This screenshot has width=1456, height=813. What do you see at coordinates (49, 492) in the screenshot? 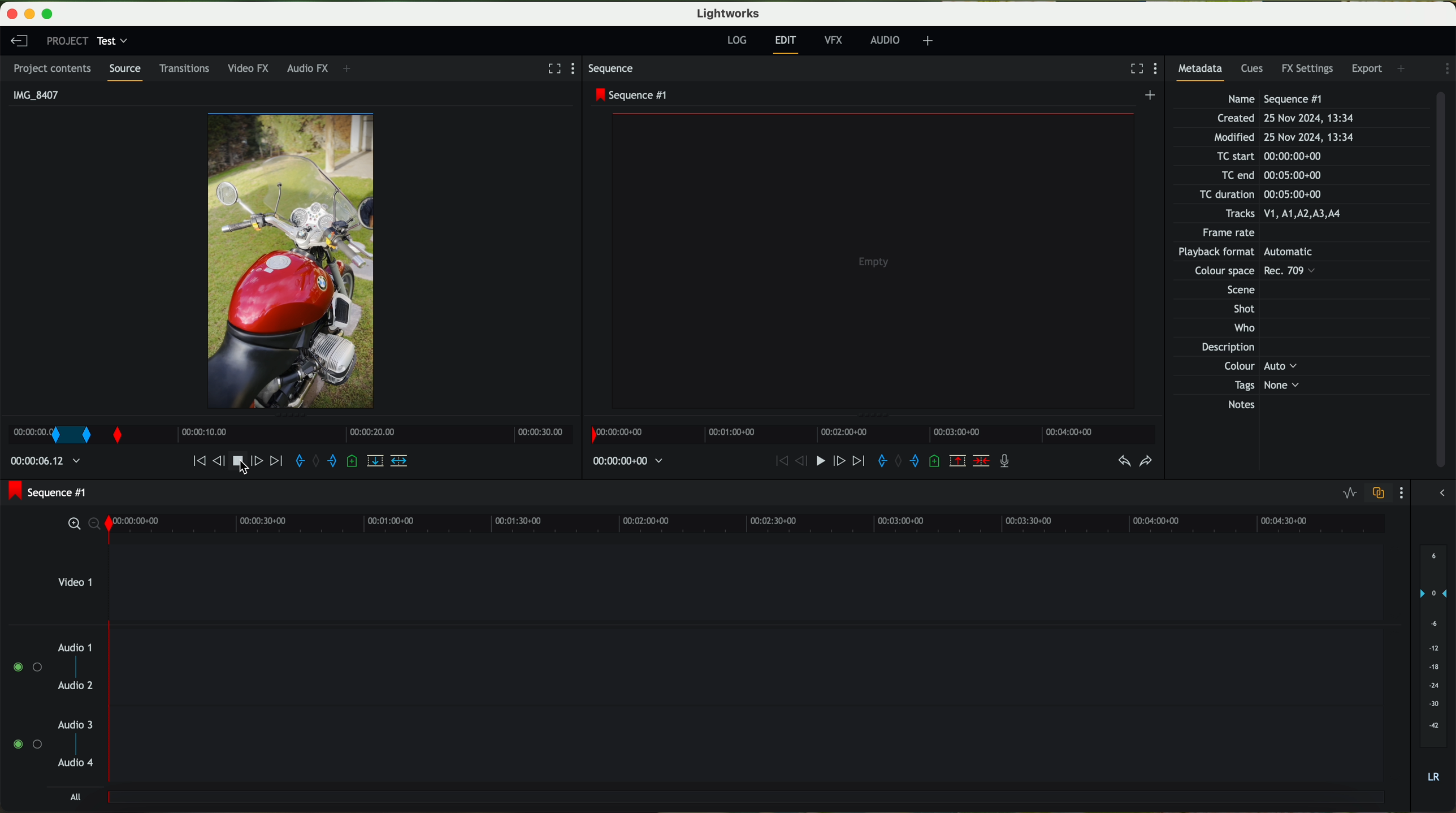
I see `sequence #1` at bounding box center [49, 492].